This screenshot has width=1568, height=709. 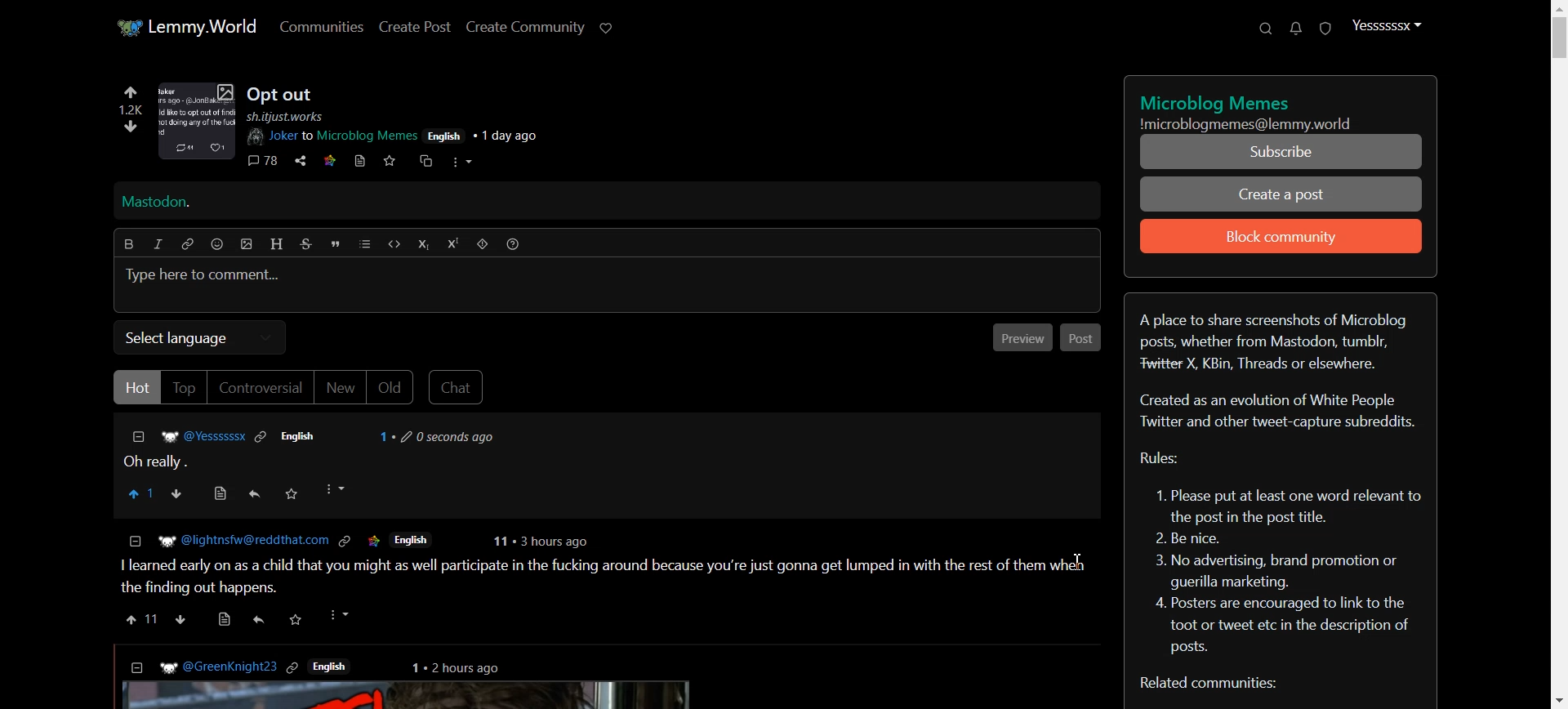 I want to click on insert picture, so click(x=247, y=245).